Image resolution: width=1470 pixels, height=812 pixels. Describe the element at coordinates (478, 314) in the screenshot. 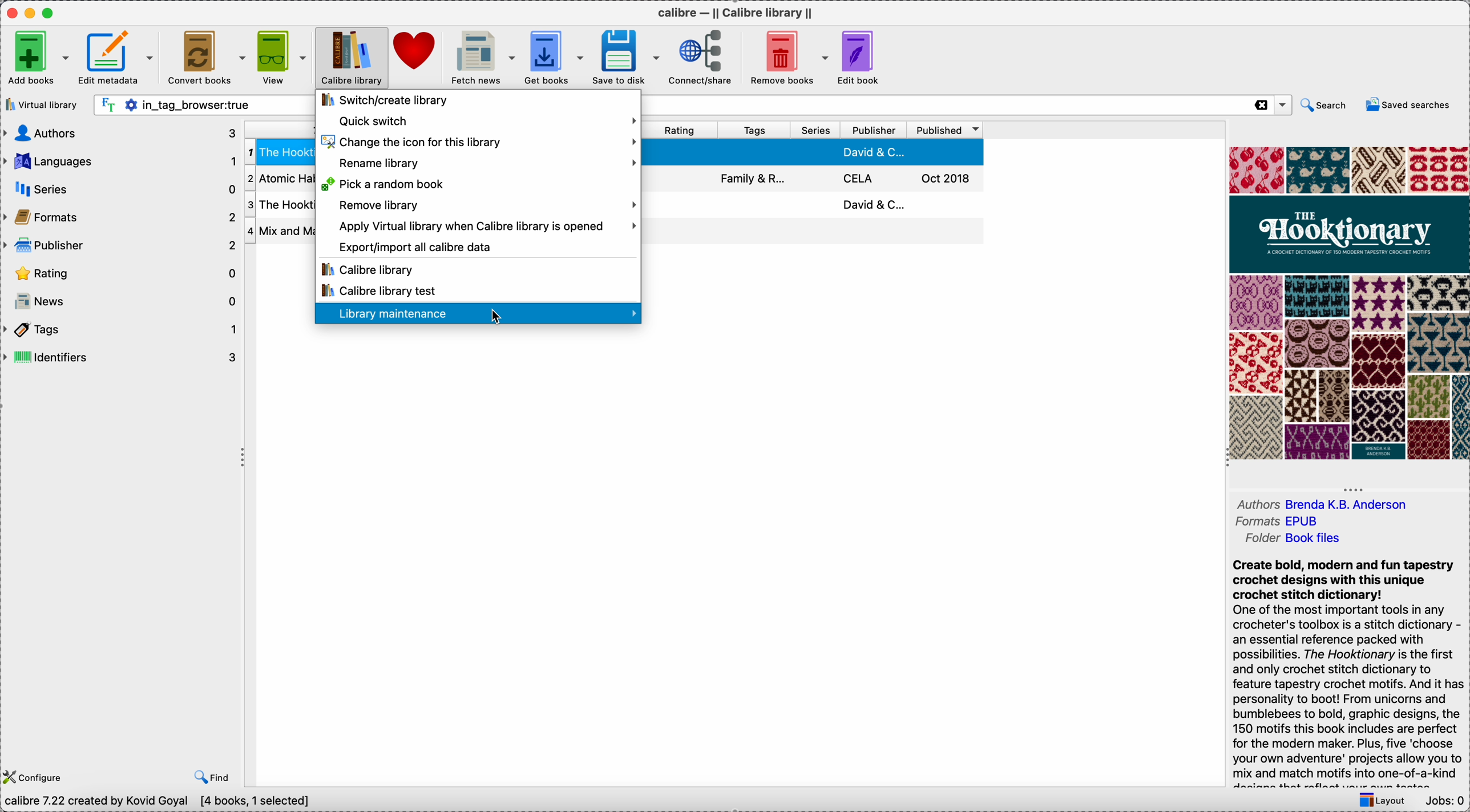

I see `click on library maintenance` at that location.